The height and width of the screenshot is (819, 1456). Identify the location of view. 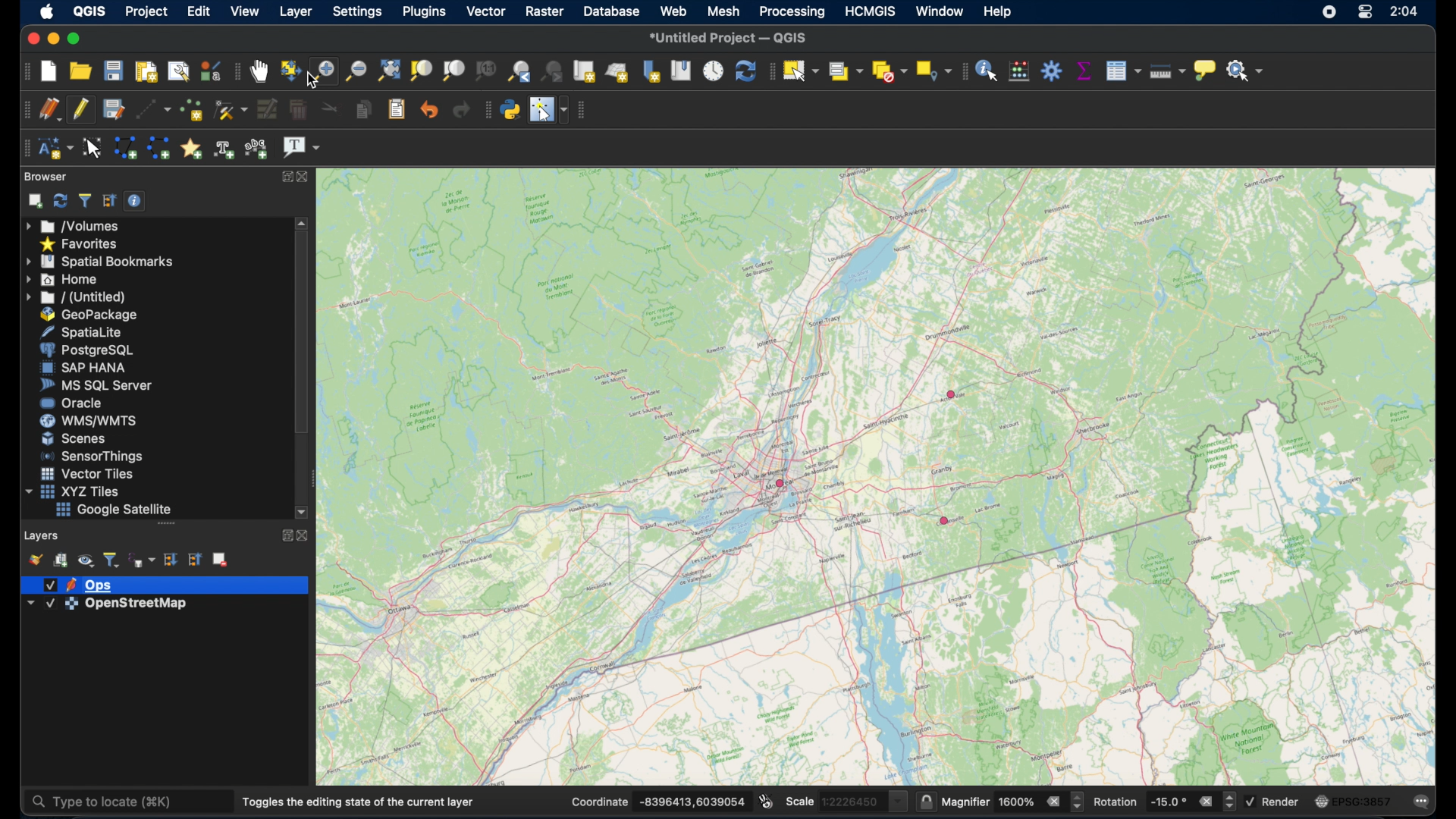
(243, 11).